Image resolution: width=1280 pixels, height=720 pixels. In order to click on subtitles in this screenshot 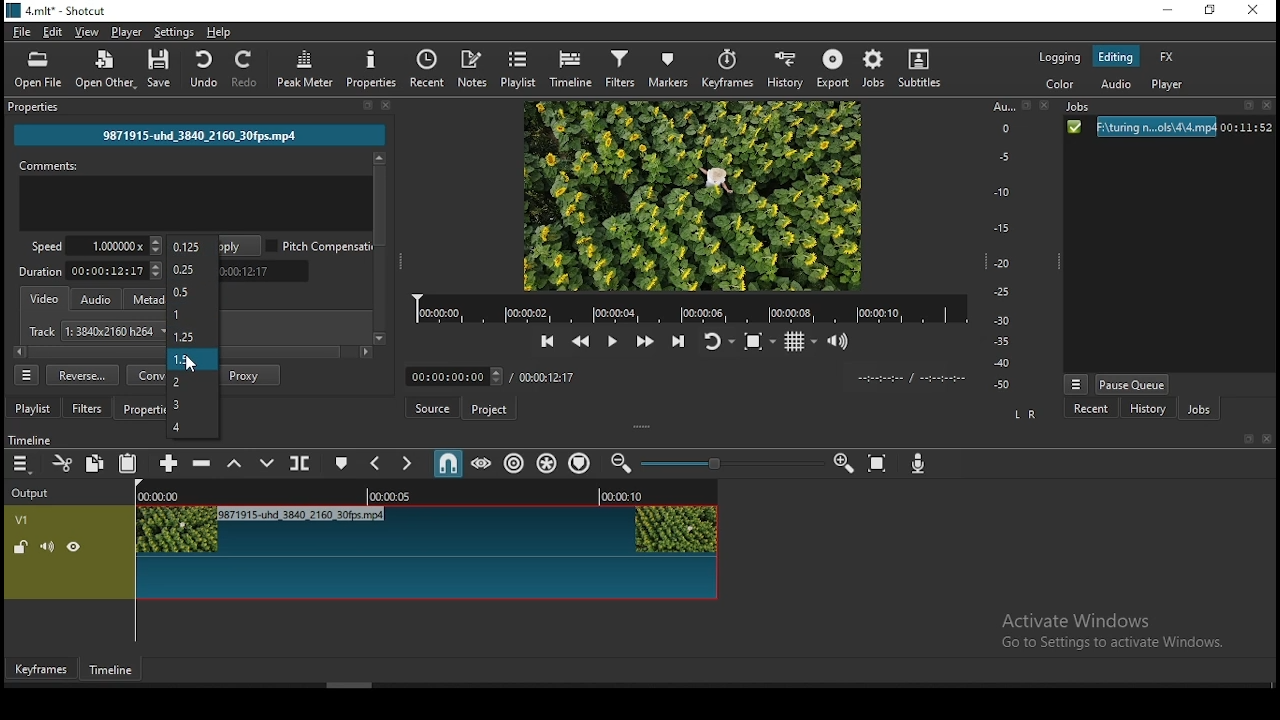, I will do `click(919, 67)`.